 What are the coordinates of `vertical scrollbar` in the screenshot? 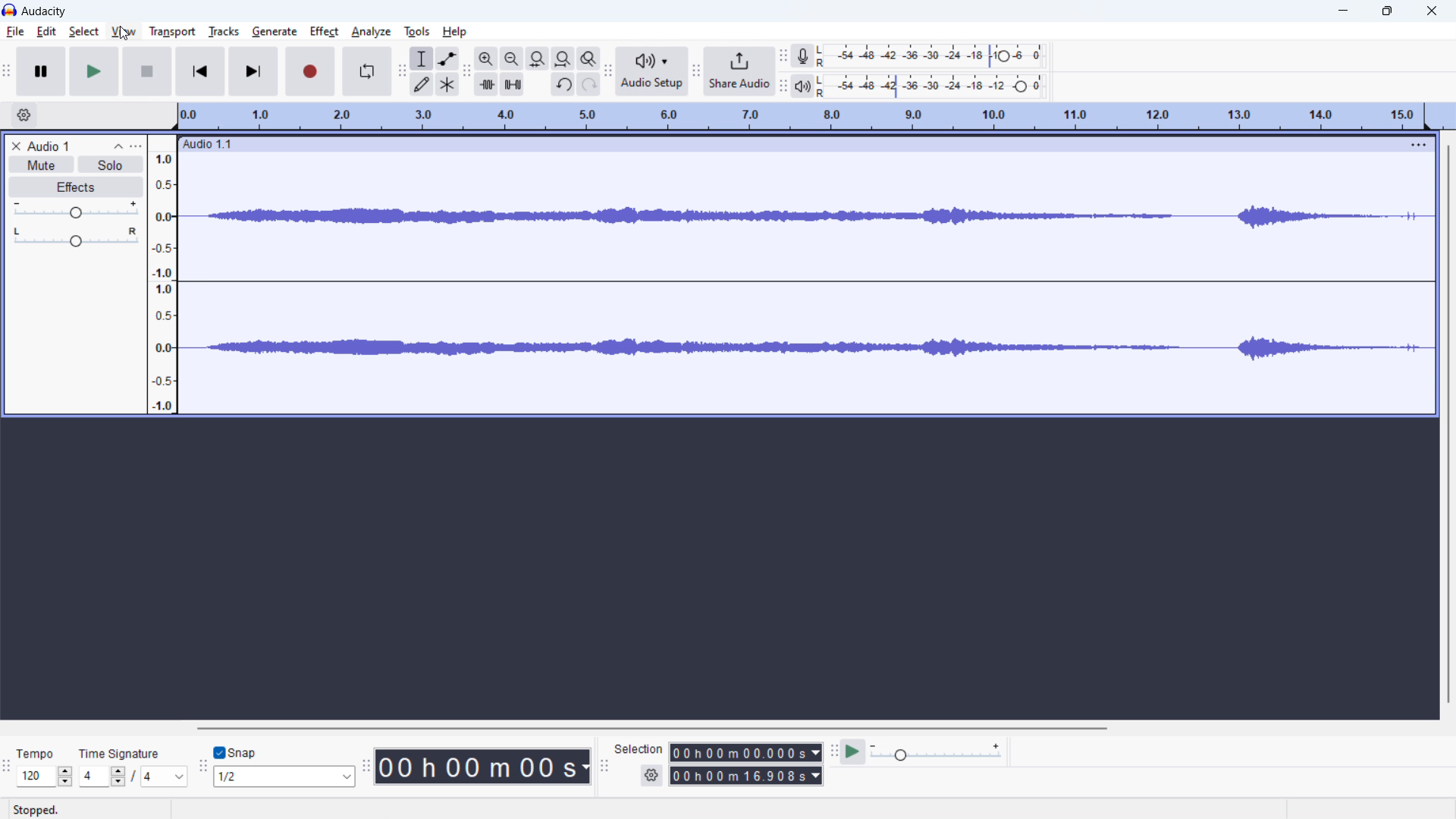 It's located at (1448, 426).